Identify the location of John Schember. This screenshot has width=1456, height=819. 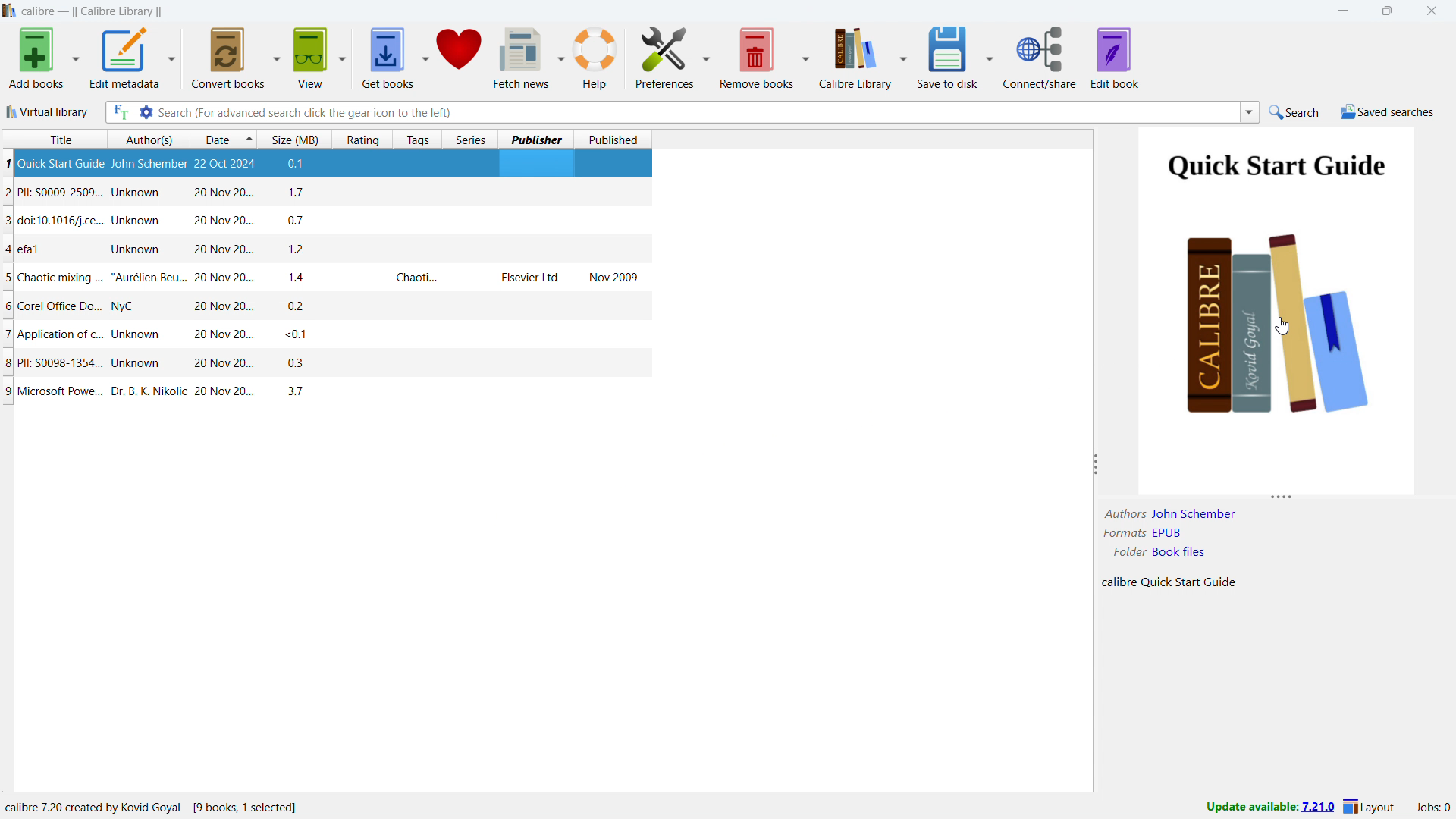
(1194, 513).